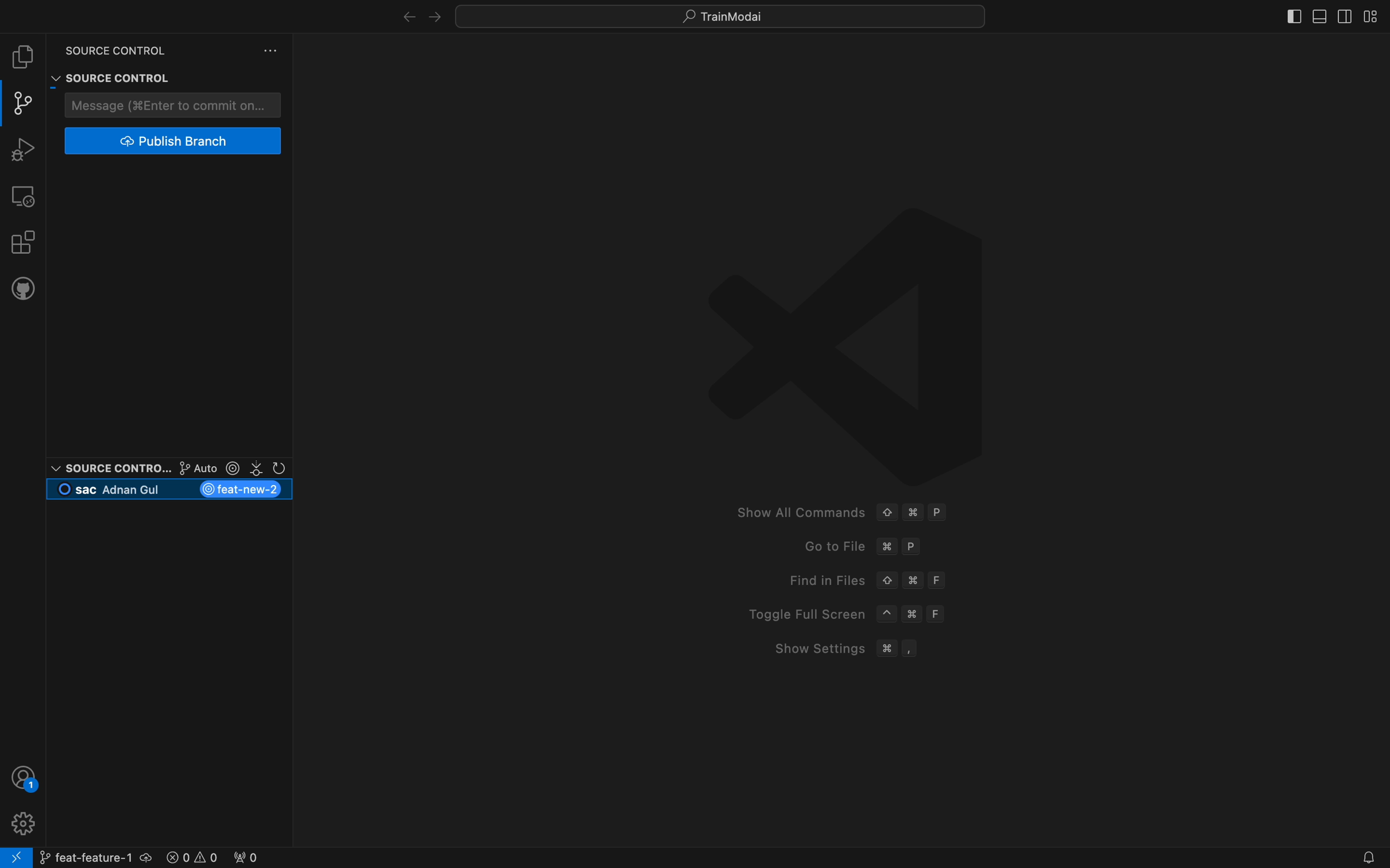 Image resolution: width=1390 pixels, height=868 pixels. Describe the element at coordinates (940, 580) in the screenshot. I see `F` at that location.